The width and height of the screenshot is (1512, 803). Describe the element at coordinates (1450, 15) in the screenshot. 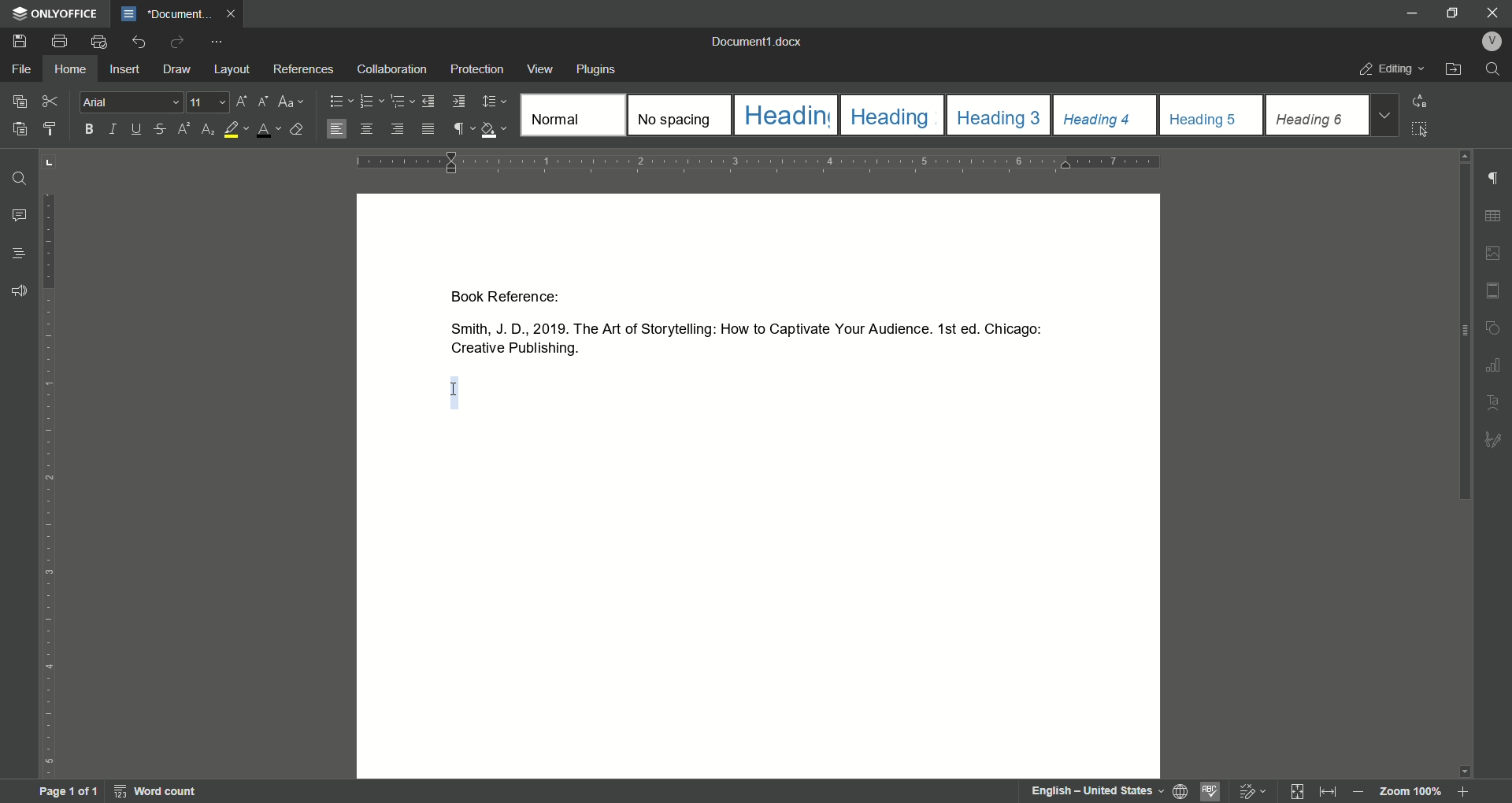

I see `minimize/maximize` at that location.